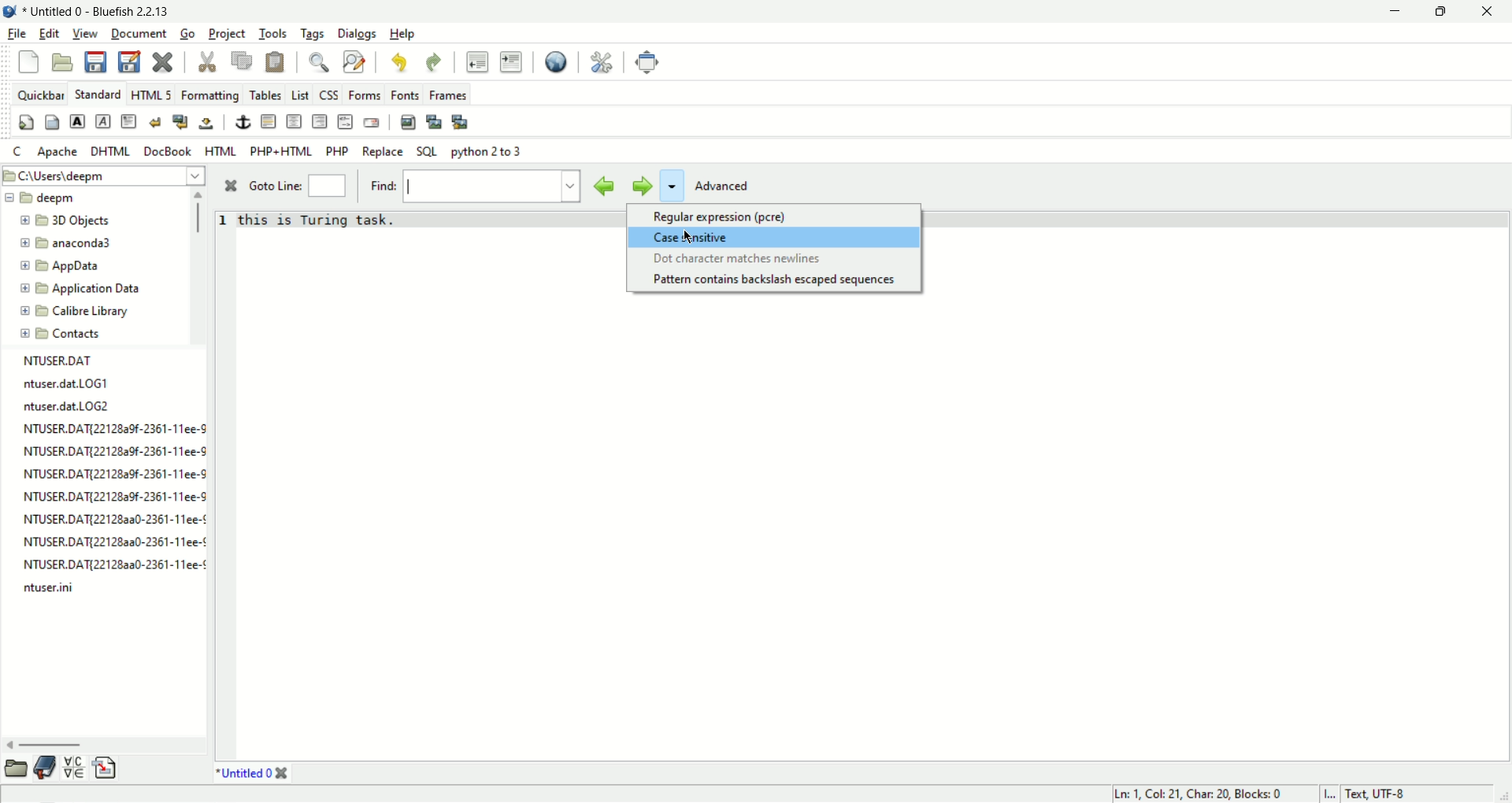 The image size is (1512, 803). I want to click on HTML, so click(222, 150).